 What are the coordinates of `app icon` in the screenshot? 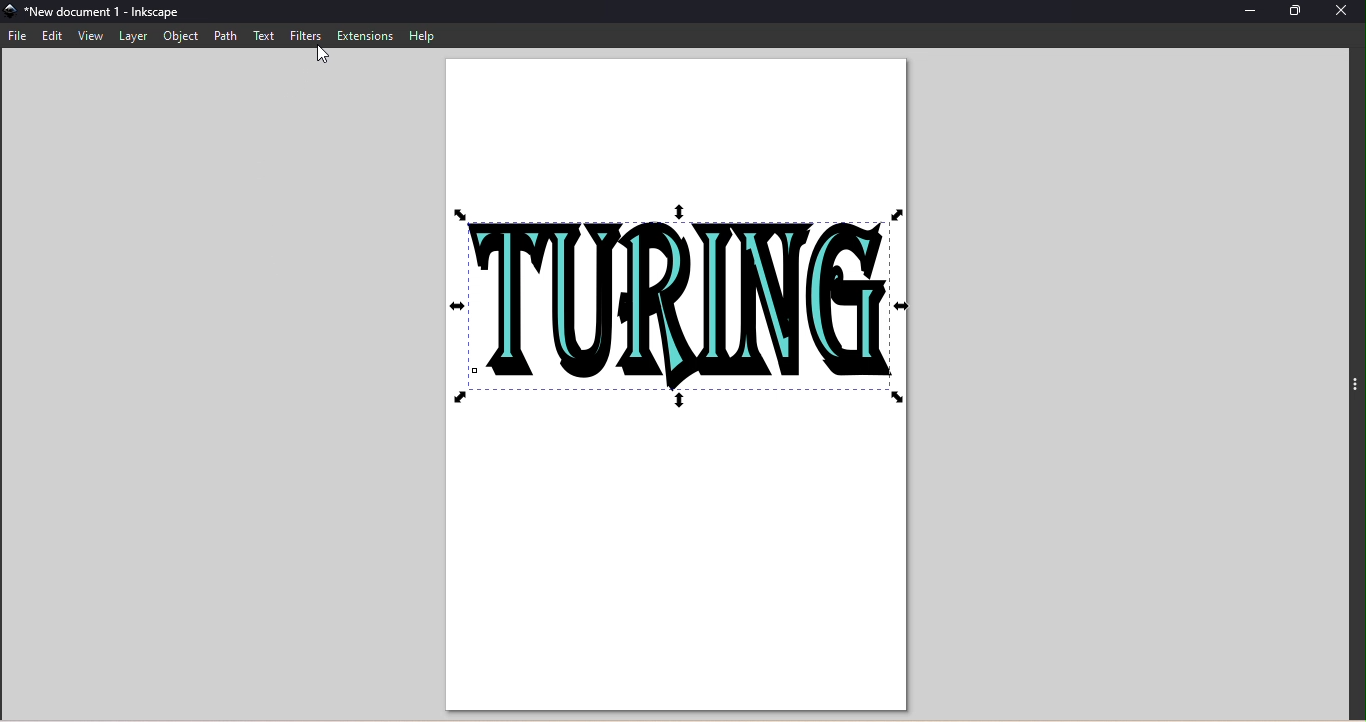 It's located at (11, 13).